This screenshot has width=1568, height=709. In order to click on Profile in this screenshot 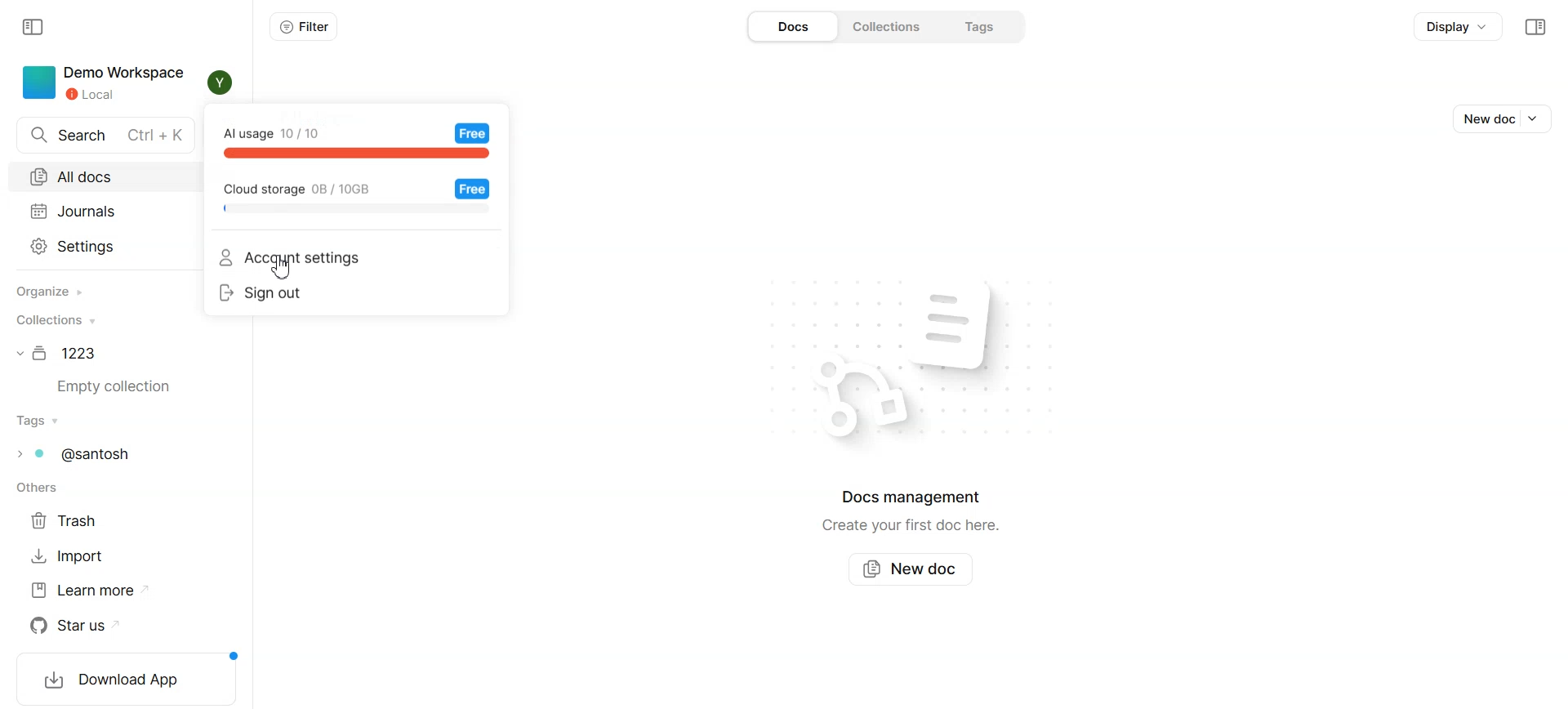, I will do `click(221, 82)`.